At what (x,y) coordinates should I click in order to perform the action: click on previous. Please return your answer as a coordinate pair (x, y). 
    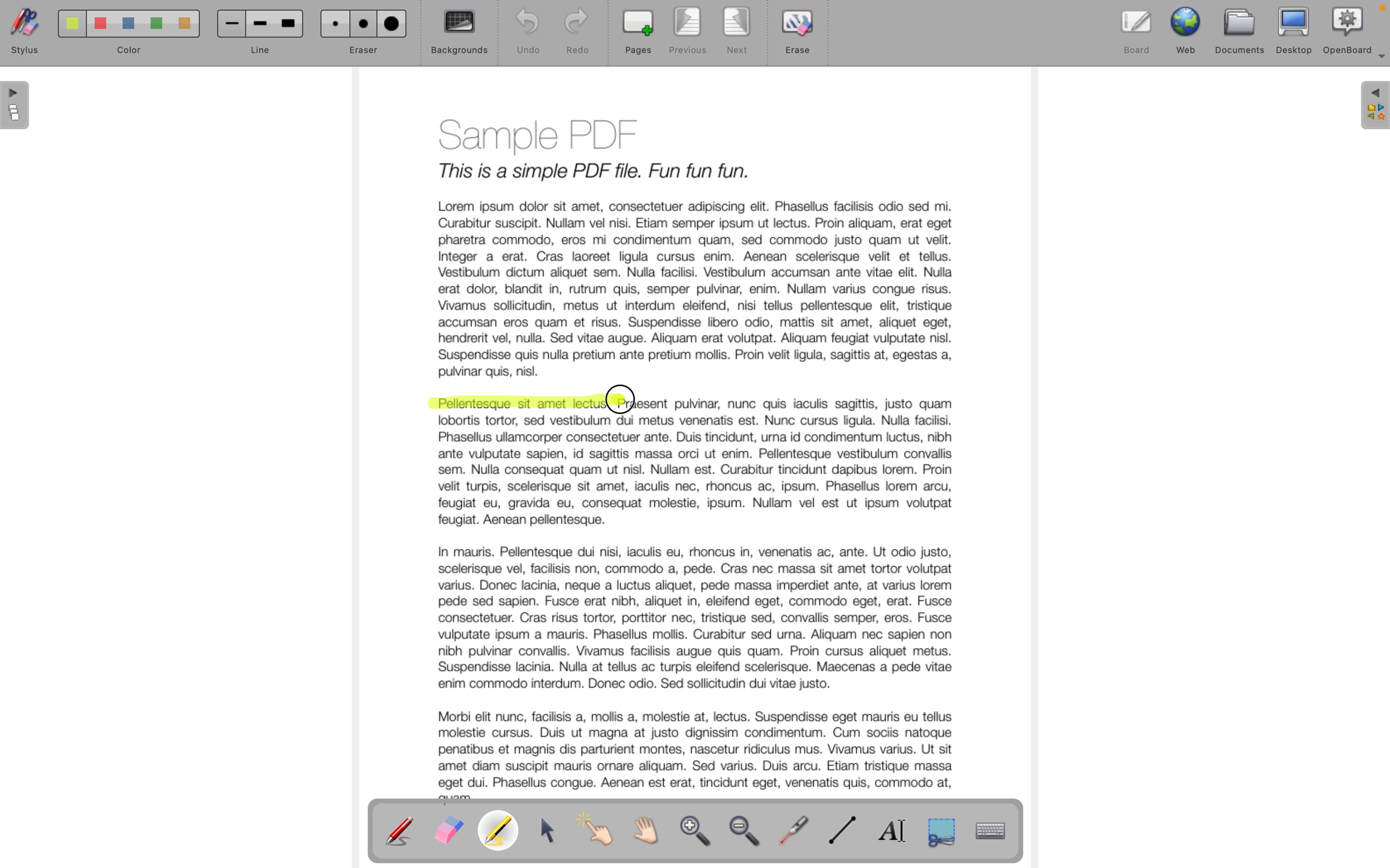
    Looking at the image, I should click on (690, 32).